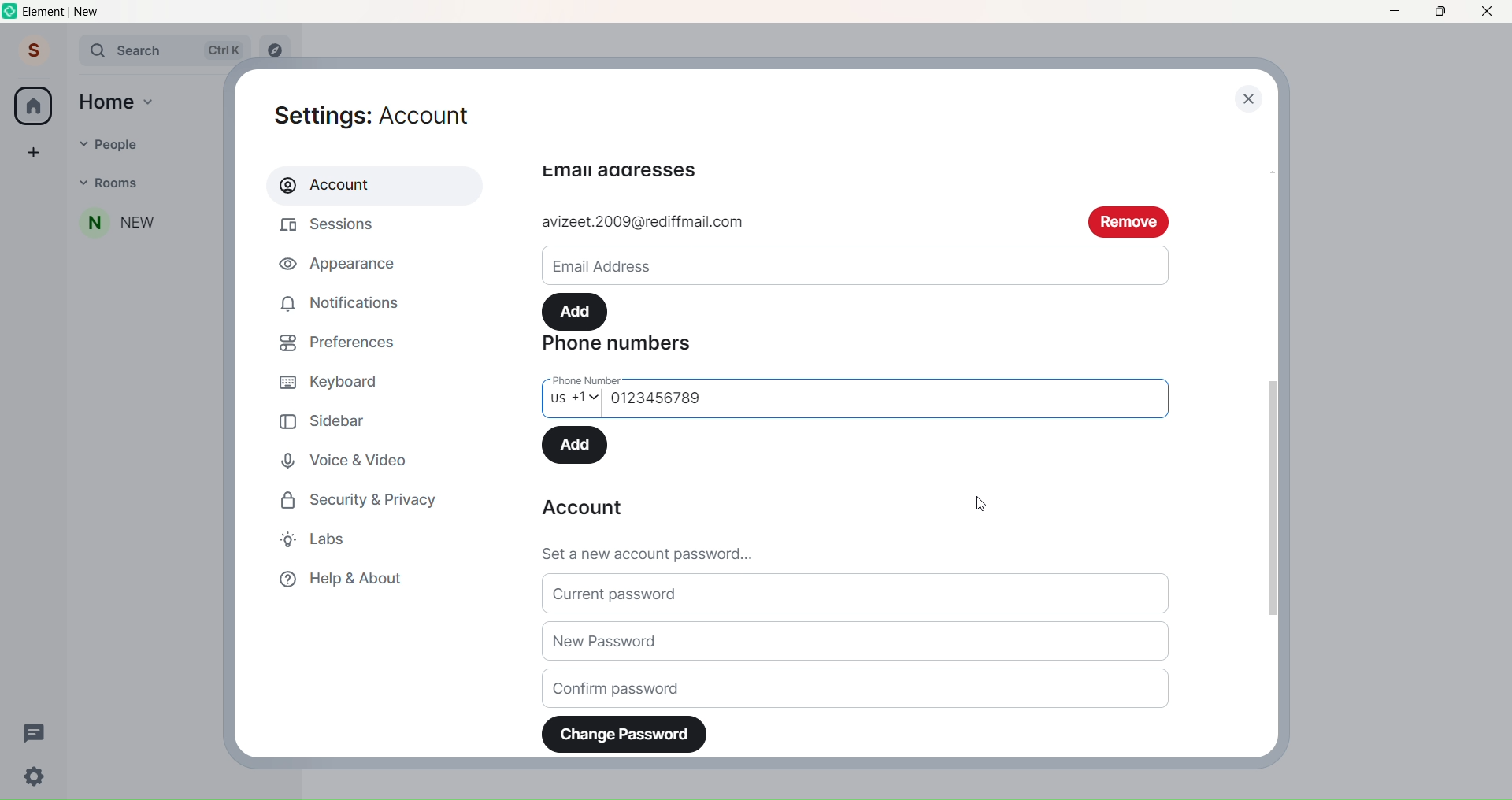 The height and width of the screenshot is (800, 1512). I want to click on remove, so click(1129, 220).